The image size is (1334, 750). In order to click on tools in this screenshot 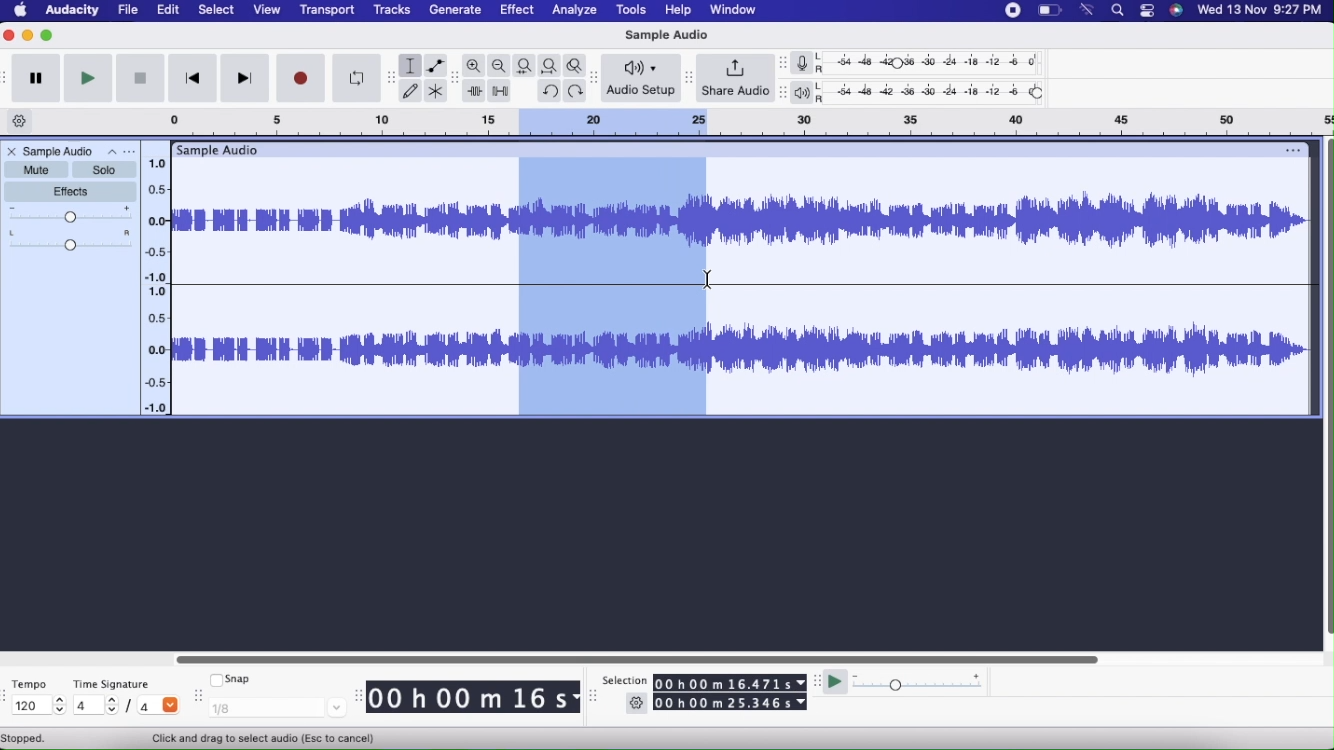, I will do `click(628, 10)`.